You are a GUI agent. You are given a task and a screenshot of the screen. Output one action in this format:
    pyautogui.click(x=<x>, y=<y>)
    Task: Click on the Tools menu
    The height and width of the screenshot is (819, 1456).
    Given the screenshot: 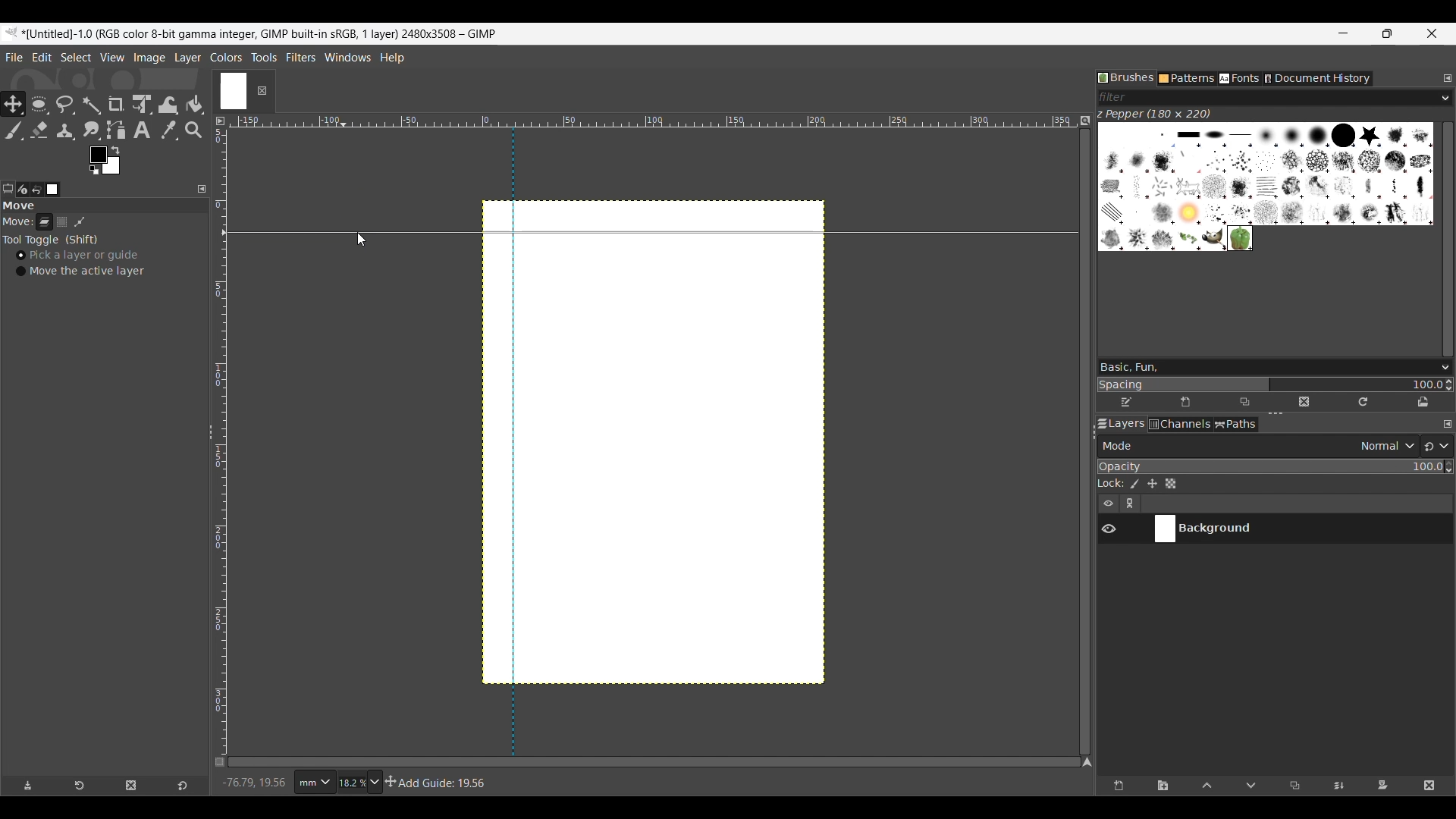 What is the action you would take?
    pyautogui.click(x=264, y=57)
    